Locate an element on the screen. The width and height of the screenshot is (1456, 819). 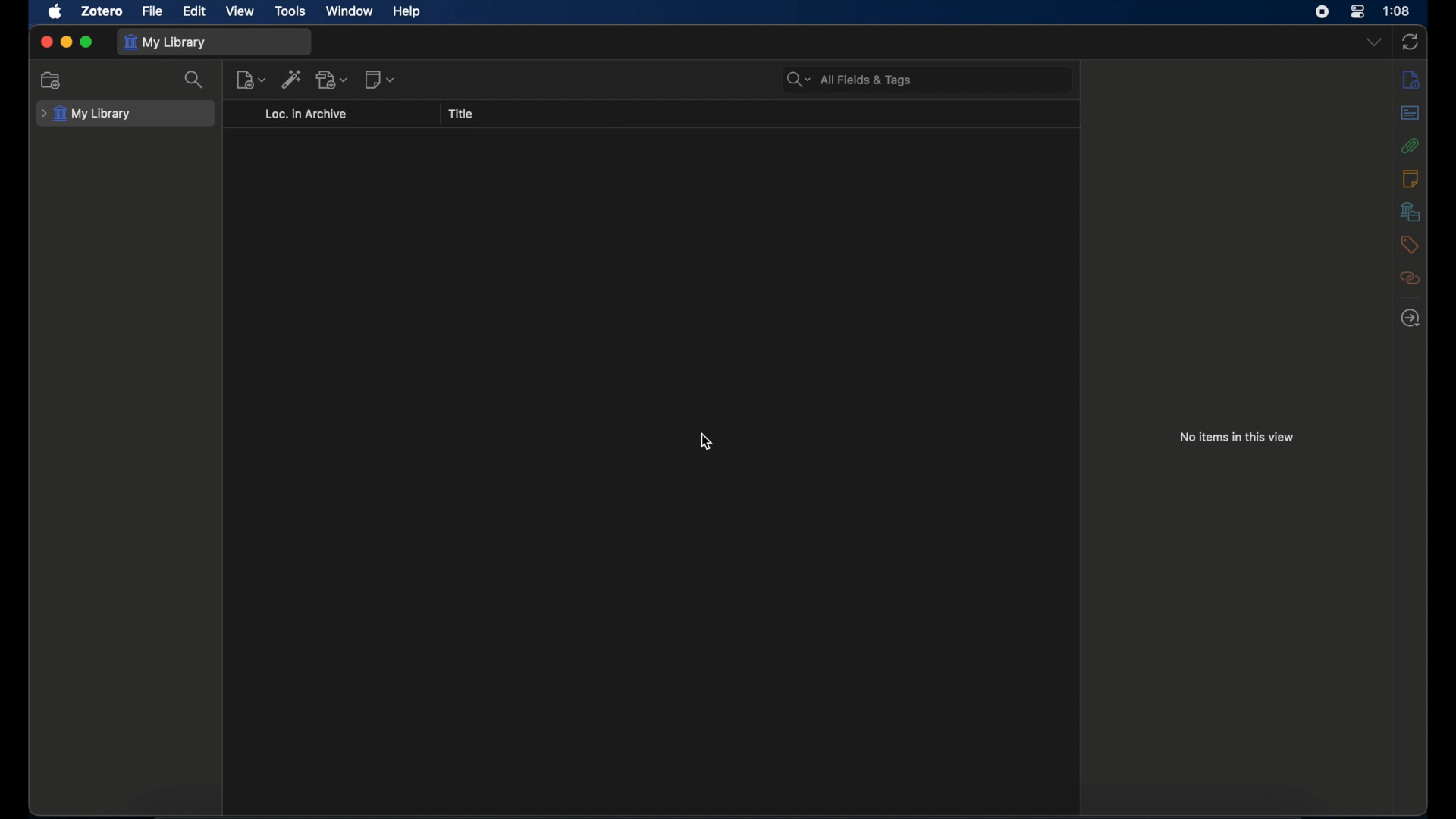
my library is located at coordinates (167, 42).